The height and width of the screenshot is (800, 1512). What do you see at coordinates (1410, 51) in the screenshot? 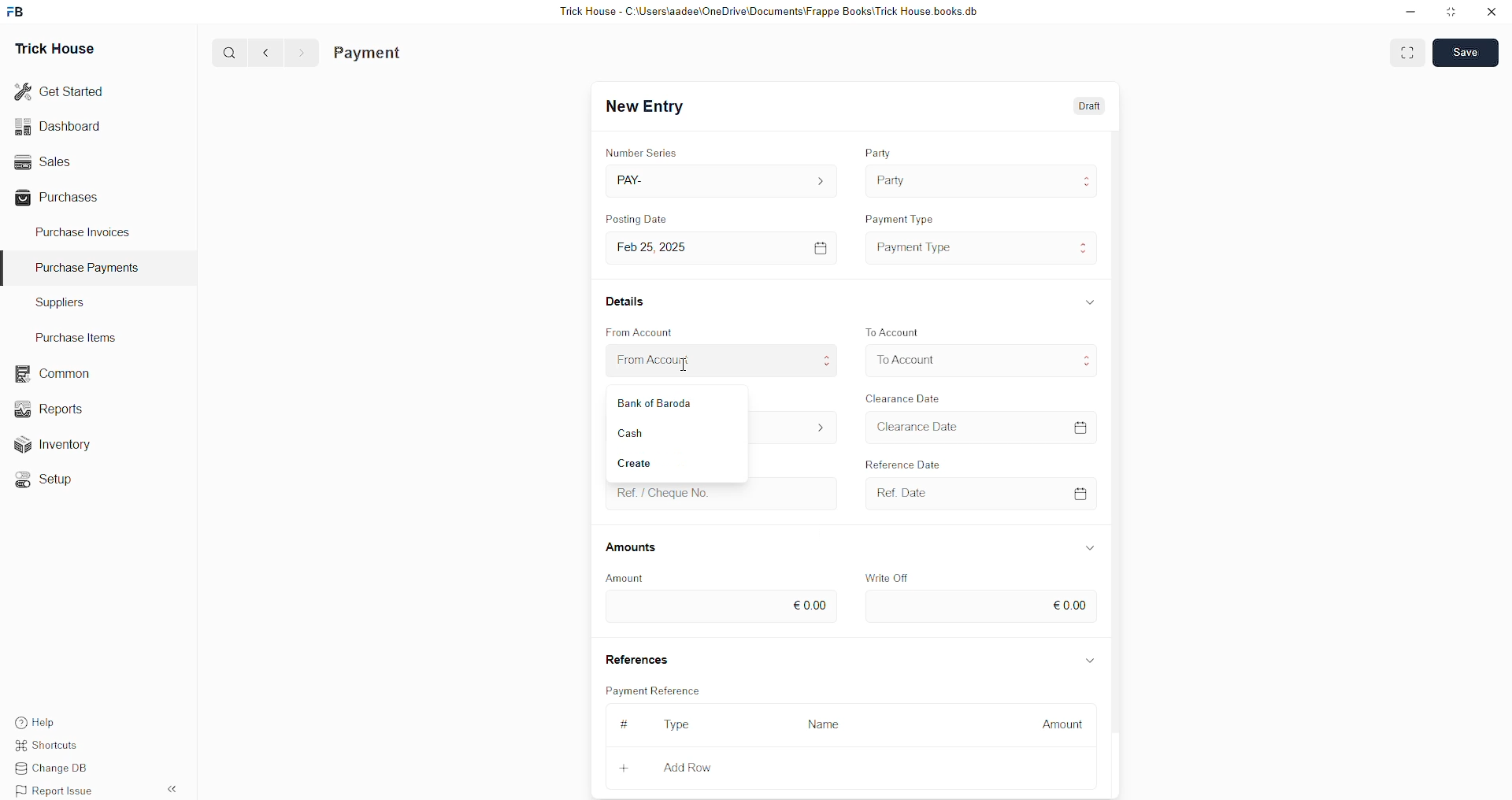
I see `EXPAND` at bounding box center [1410, 51].